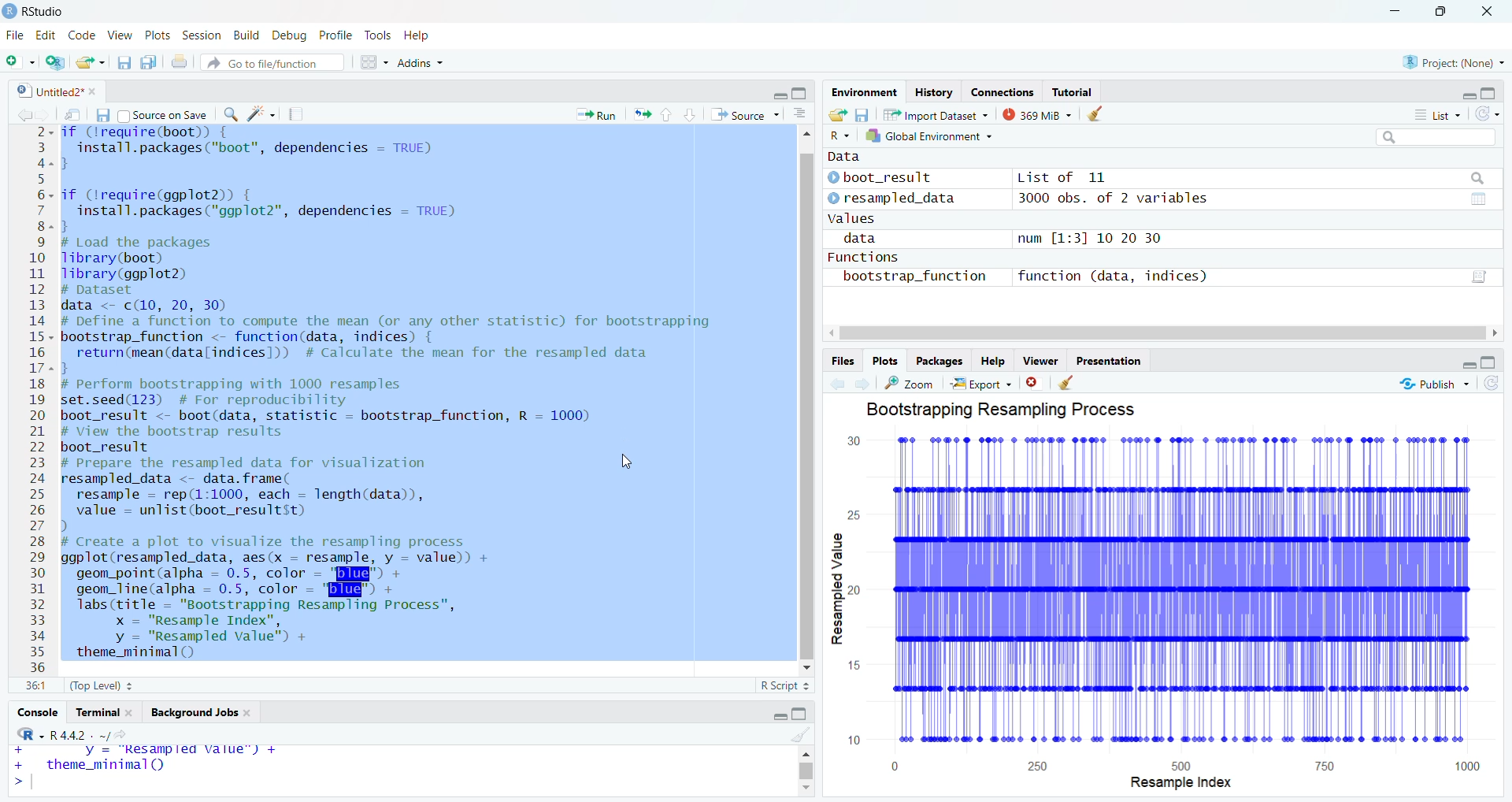 This screenshot has height=802, width=1512. Describe the element at coordinates (18, 62) in the screenshot. I see `new file` at that location.